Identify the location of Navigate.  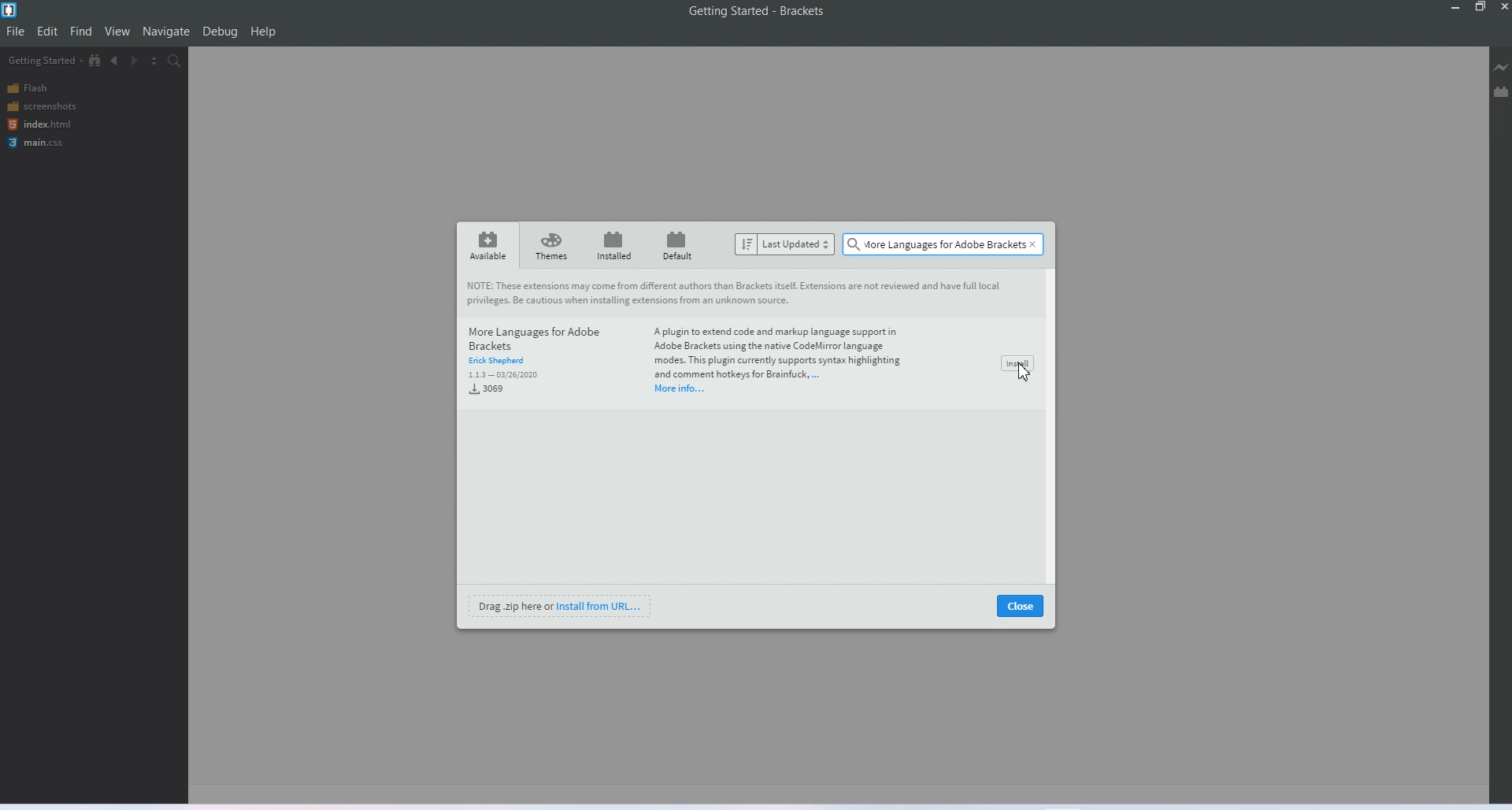
(166, 32).